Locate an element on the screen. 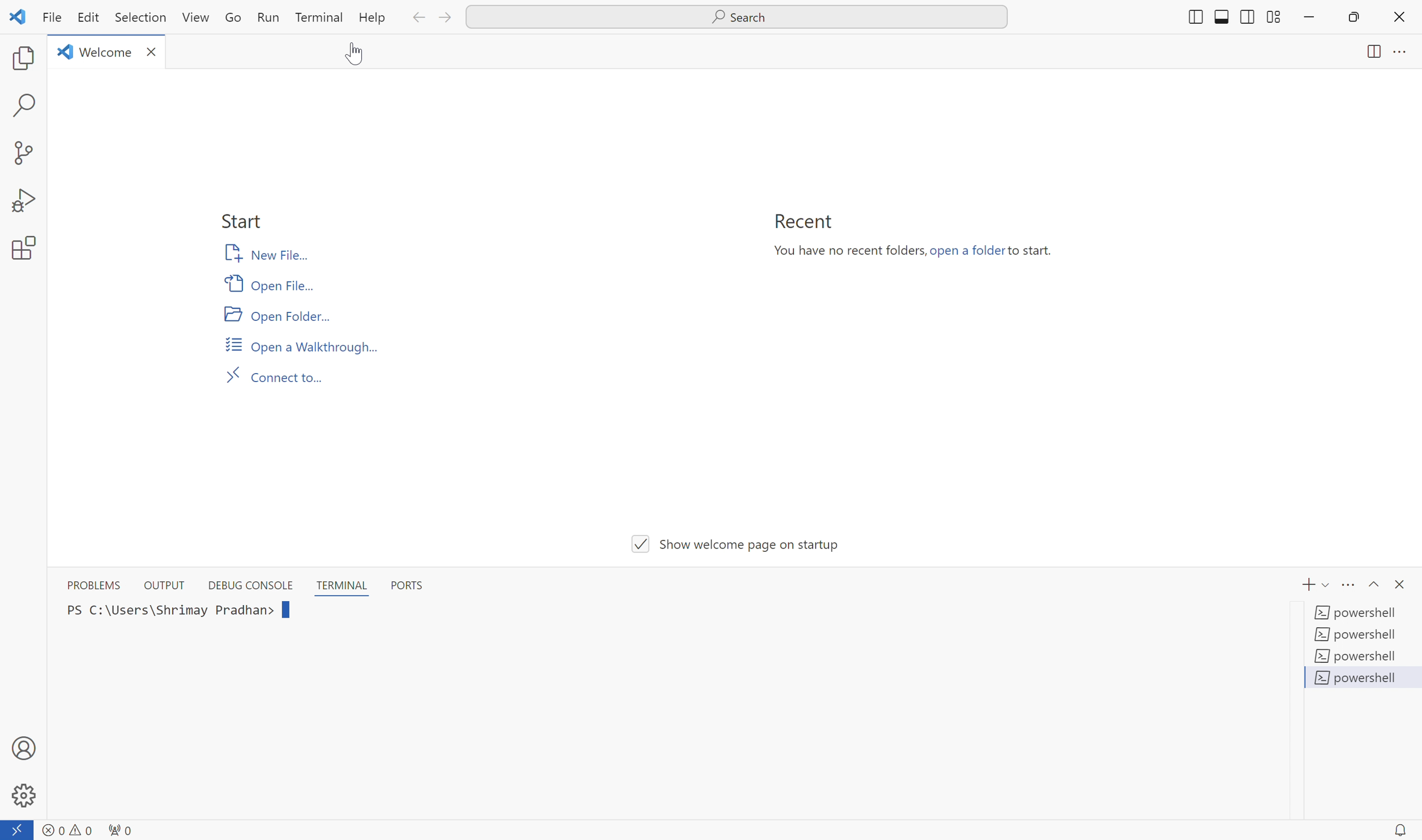  Vv Show welcome page on startup is located at coordinates (740, 792).